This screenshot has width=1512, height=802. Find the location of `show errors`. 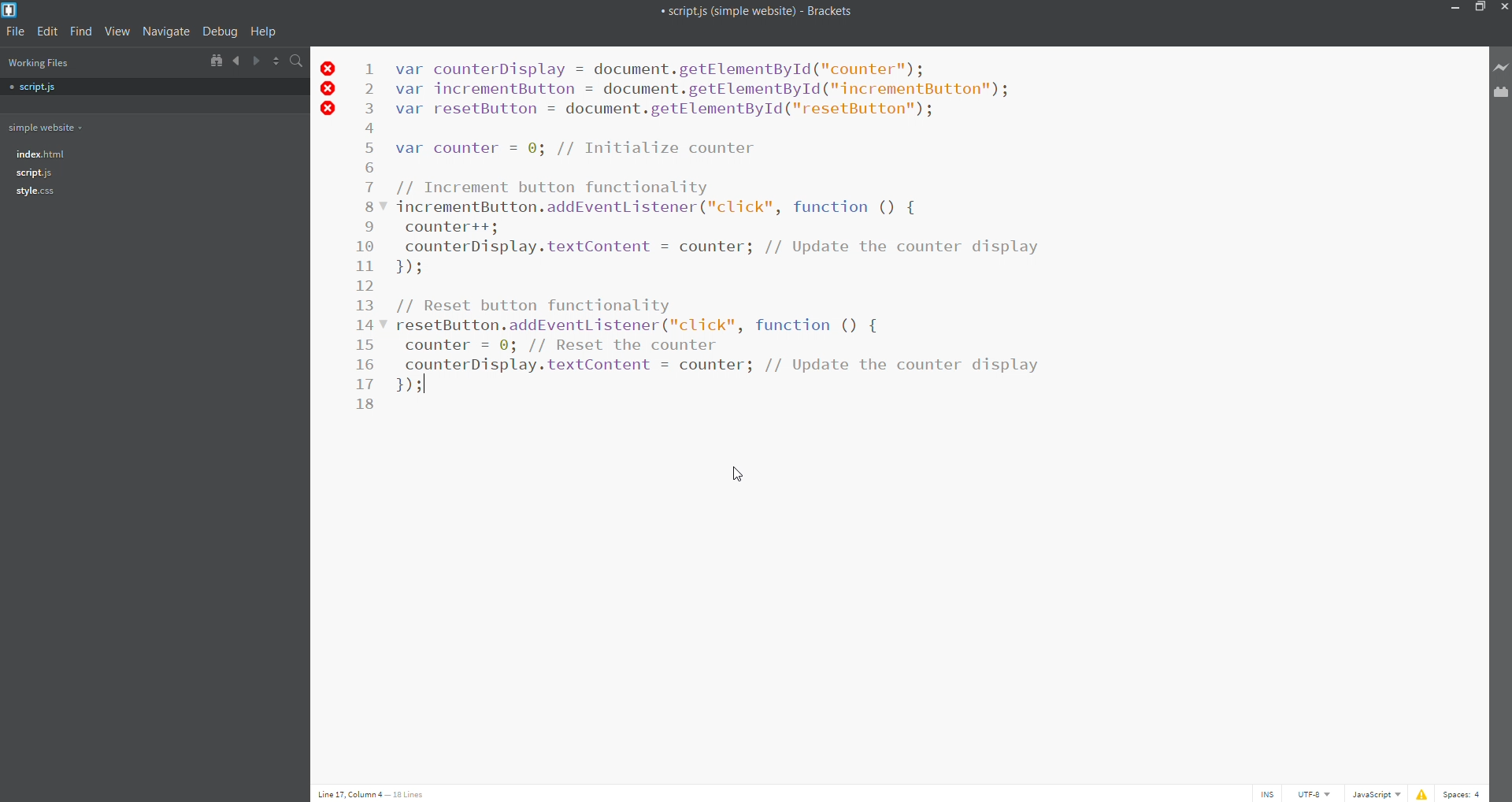

show errors is located at coordinates (1422, 793).